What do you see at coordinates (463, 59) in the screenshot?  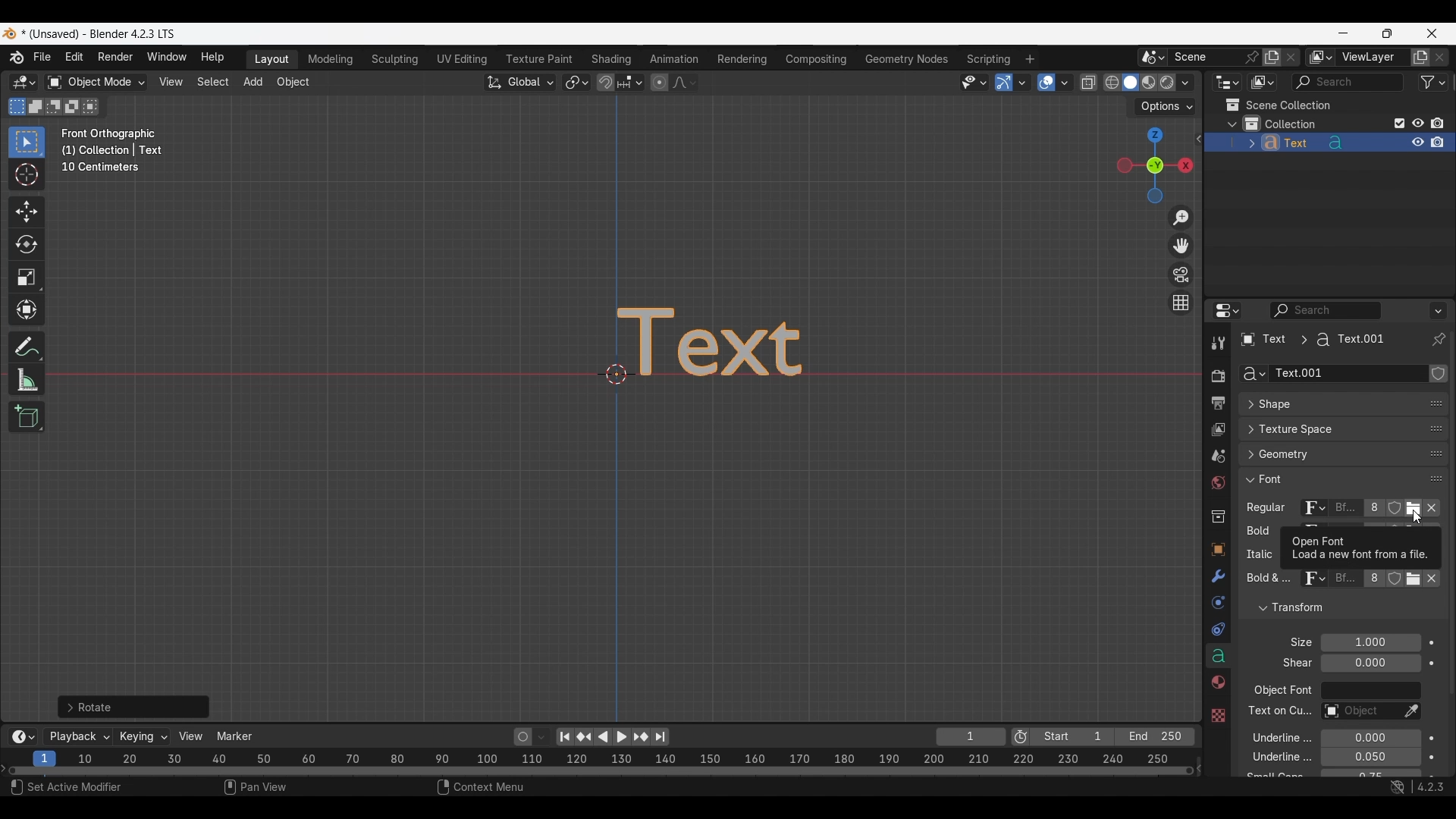 I see `UV Editing workspace` at bounding box center [463, 59].